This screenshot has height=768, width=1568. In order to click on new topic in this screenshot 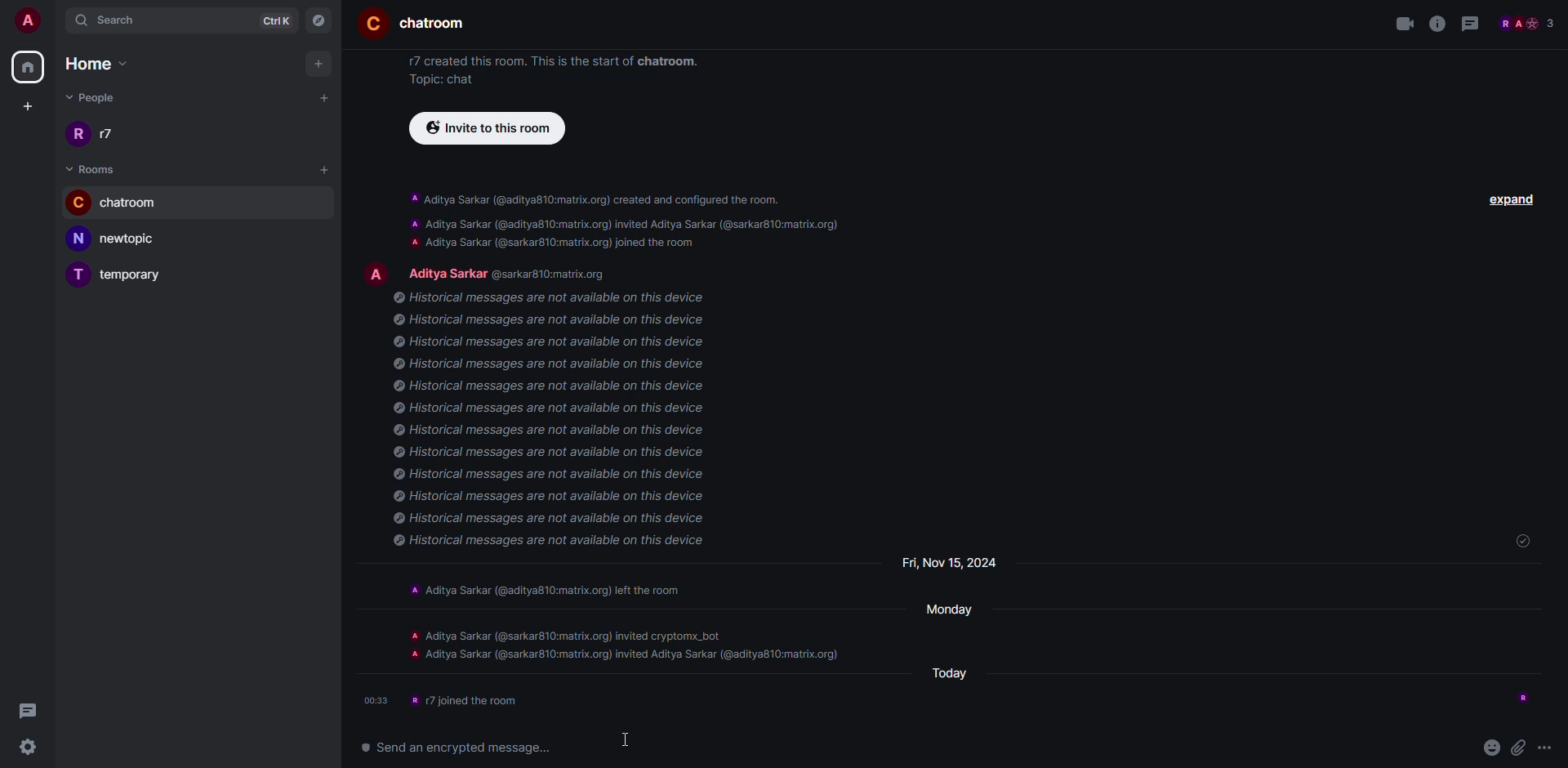, I will do `click(121, 238)`.